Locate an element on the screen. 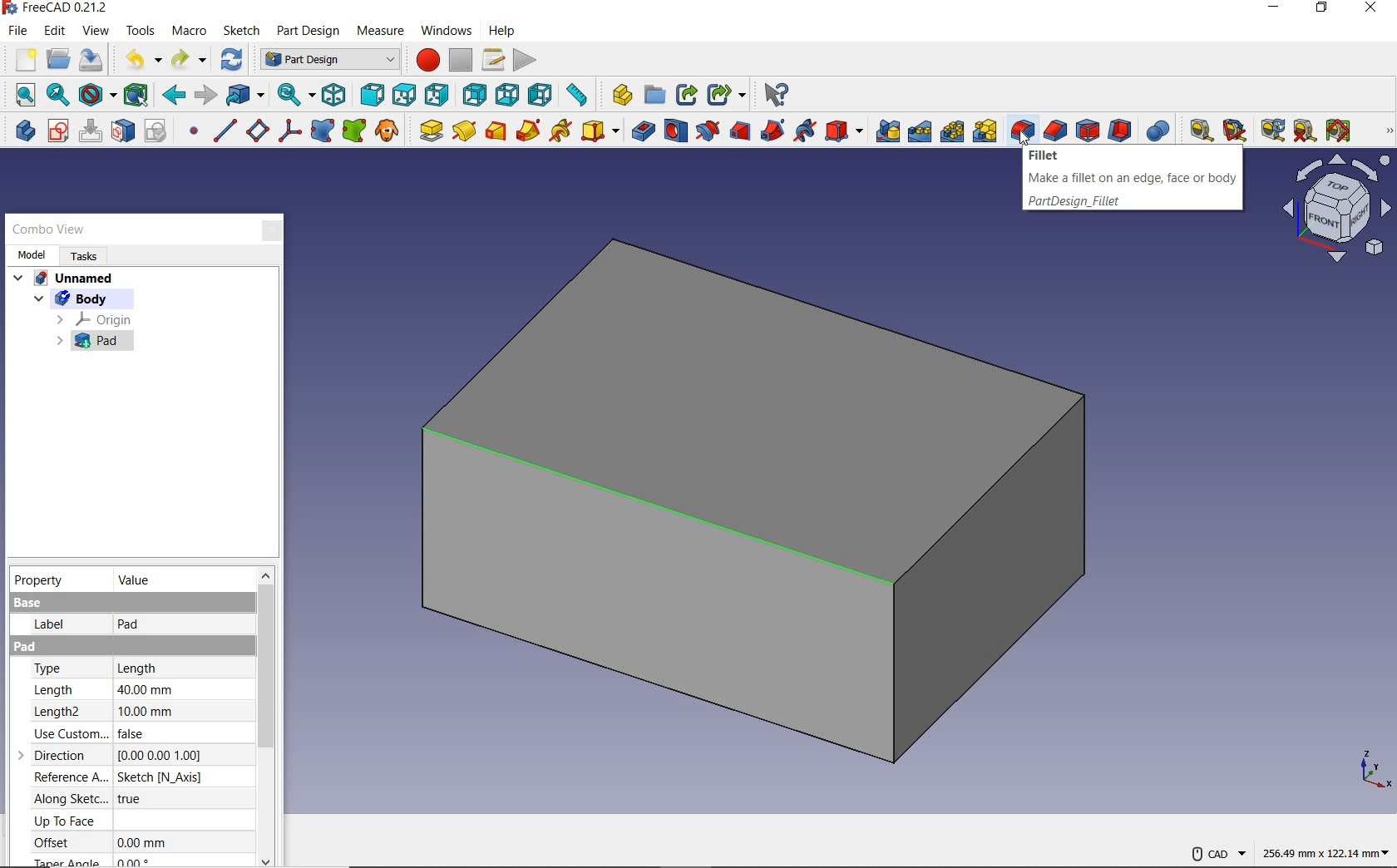 This screenshot has height=868, width=1397. create a sub object is located at coordinates (356, 131).